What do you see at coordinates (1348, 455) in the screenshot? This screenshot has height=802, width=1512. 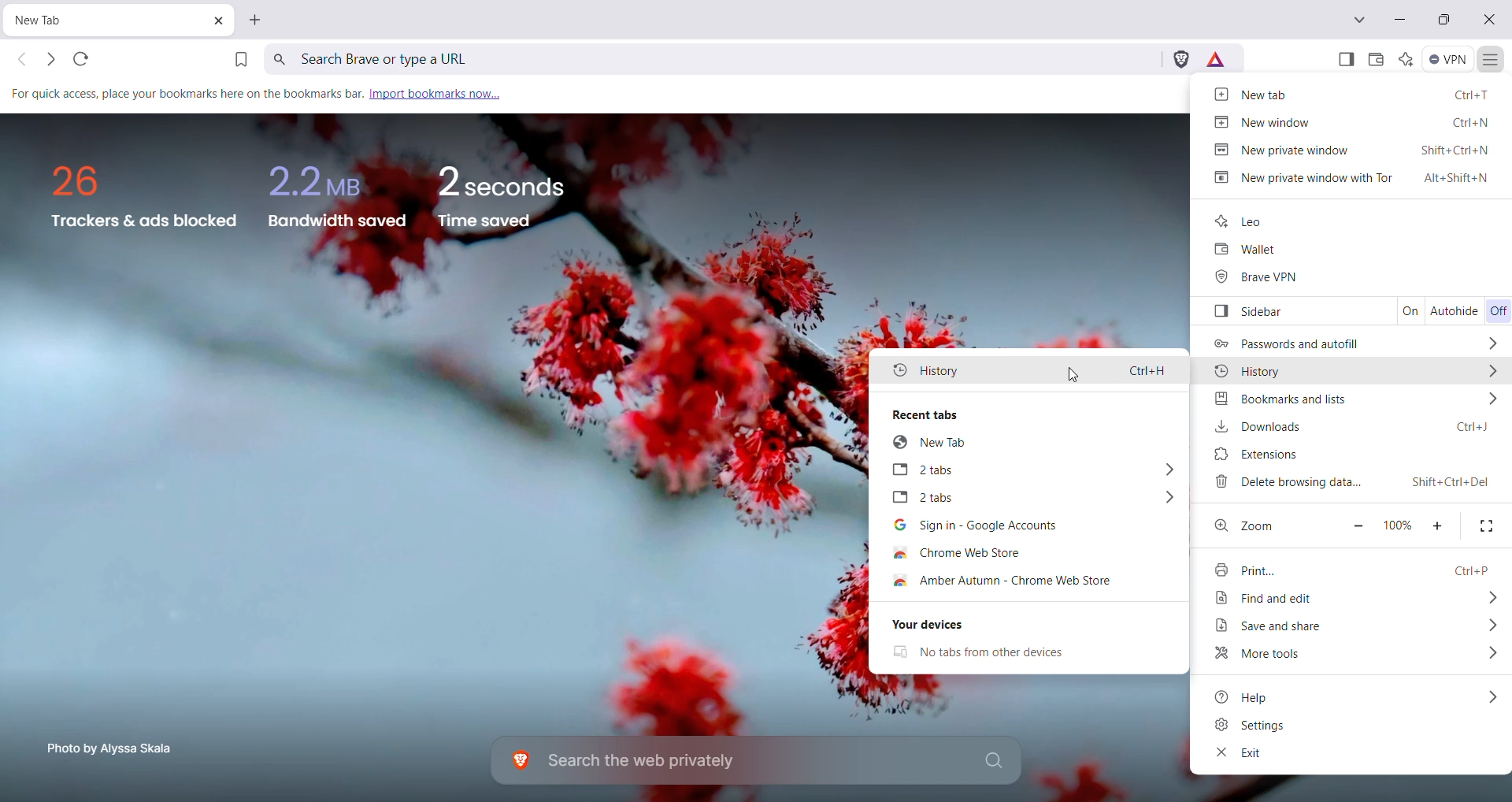 I see `Extensions` at bounding box center [1348, 455].